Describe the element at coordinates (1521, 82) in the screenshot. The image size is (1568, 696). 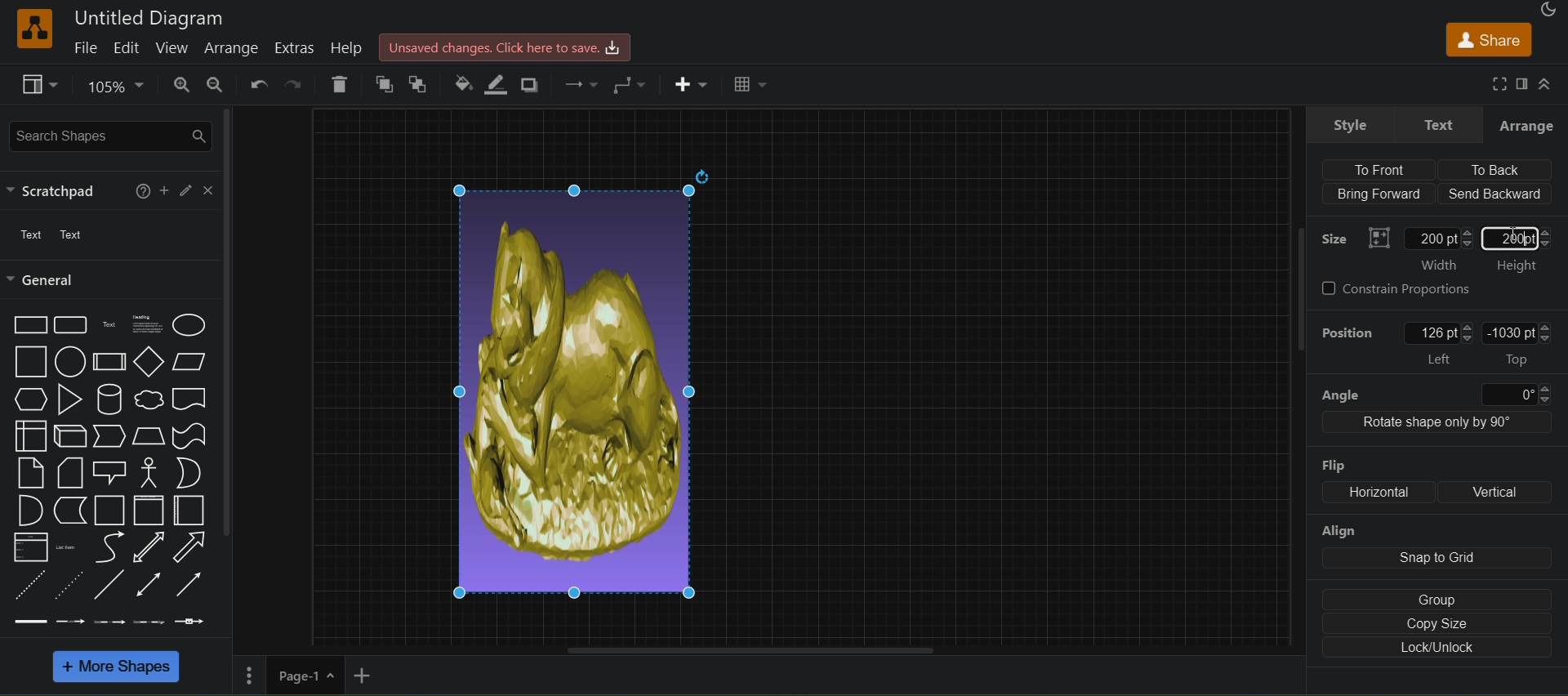
I see `format` at that location.